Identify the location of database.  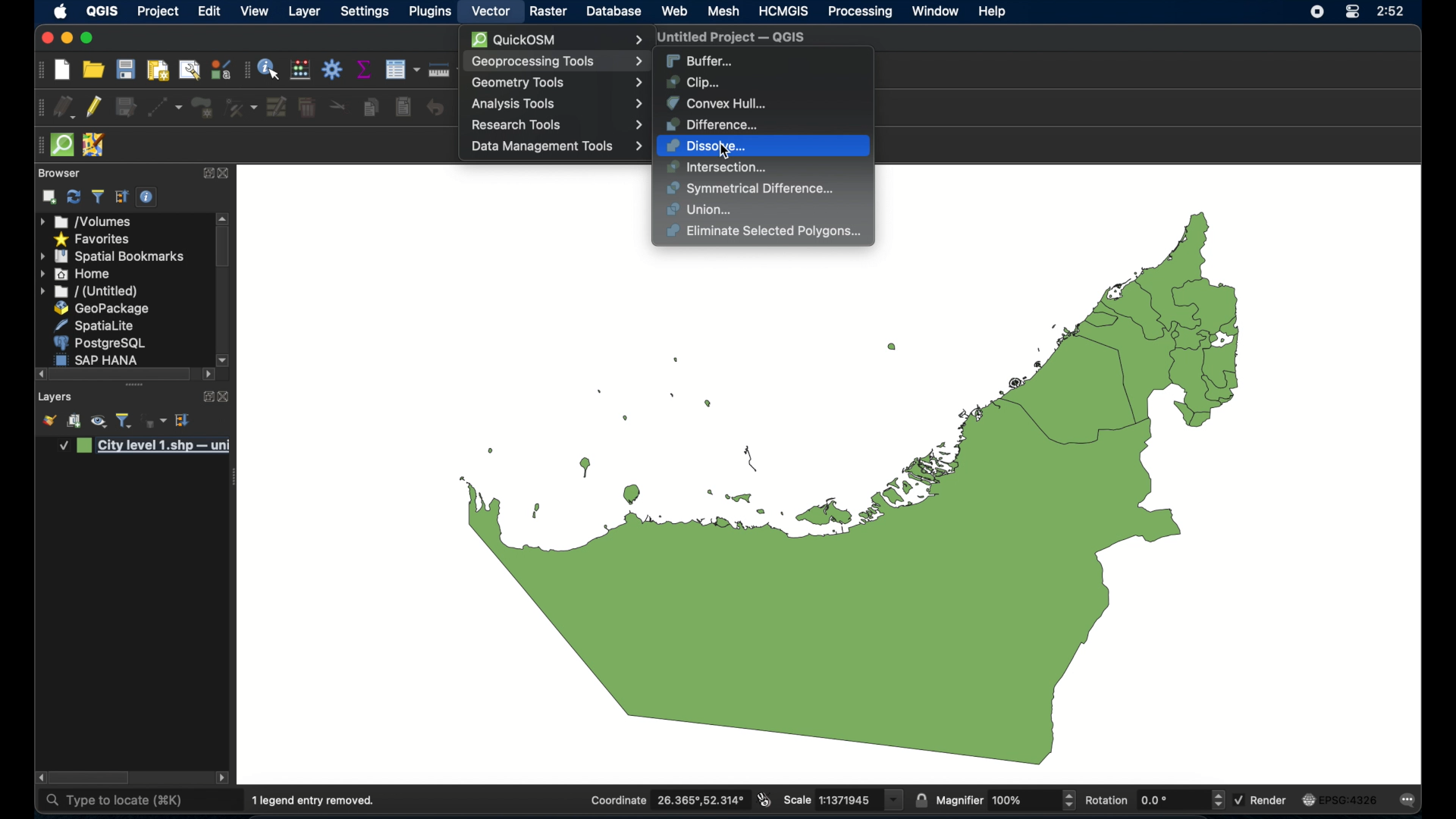
(615, 11).